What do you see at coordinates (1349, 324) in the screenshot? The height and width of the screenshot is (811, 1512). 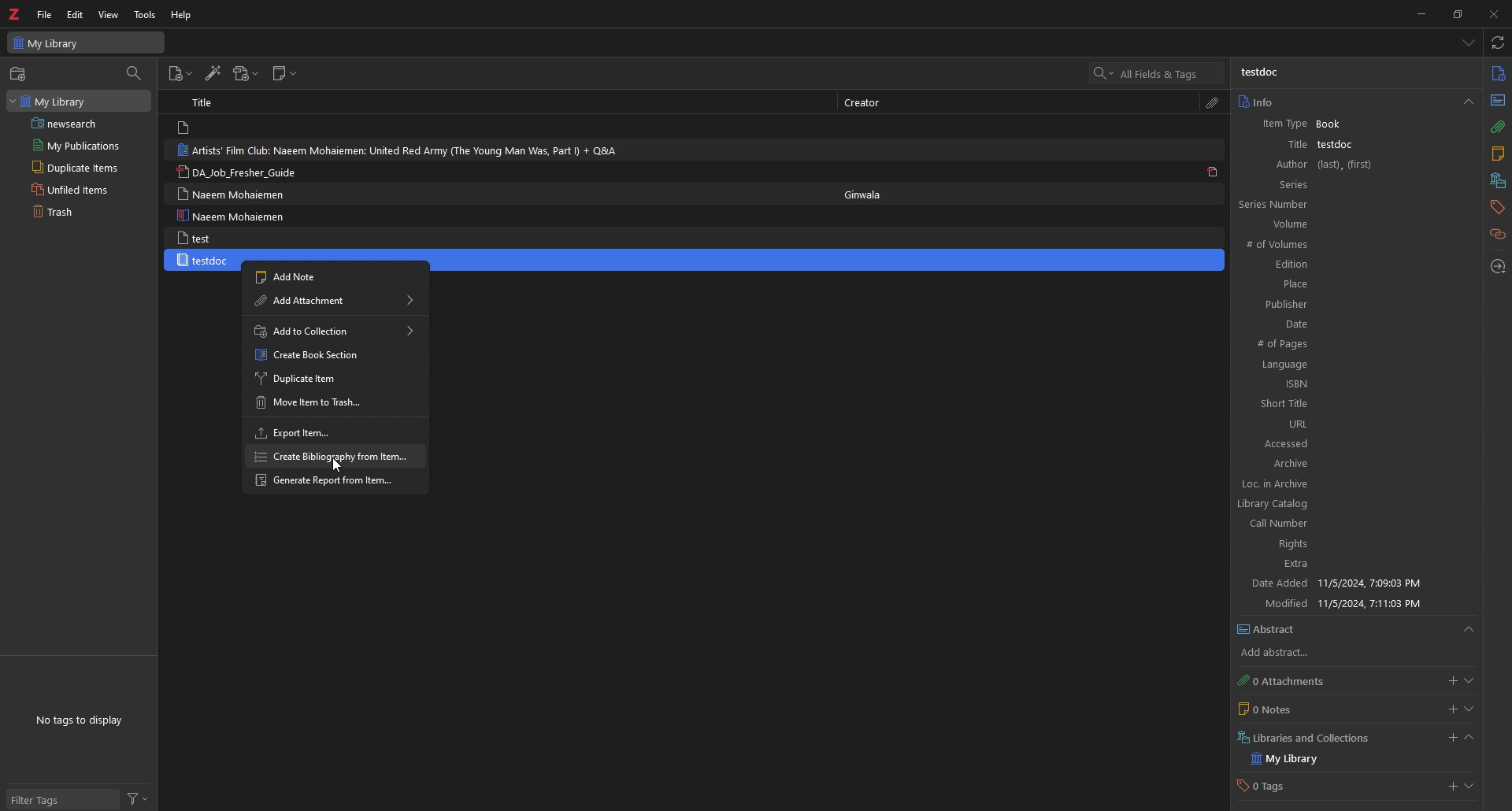 I see `Date` at bounding box center [1349, 324].